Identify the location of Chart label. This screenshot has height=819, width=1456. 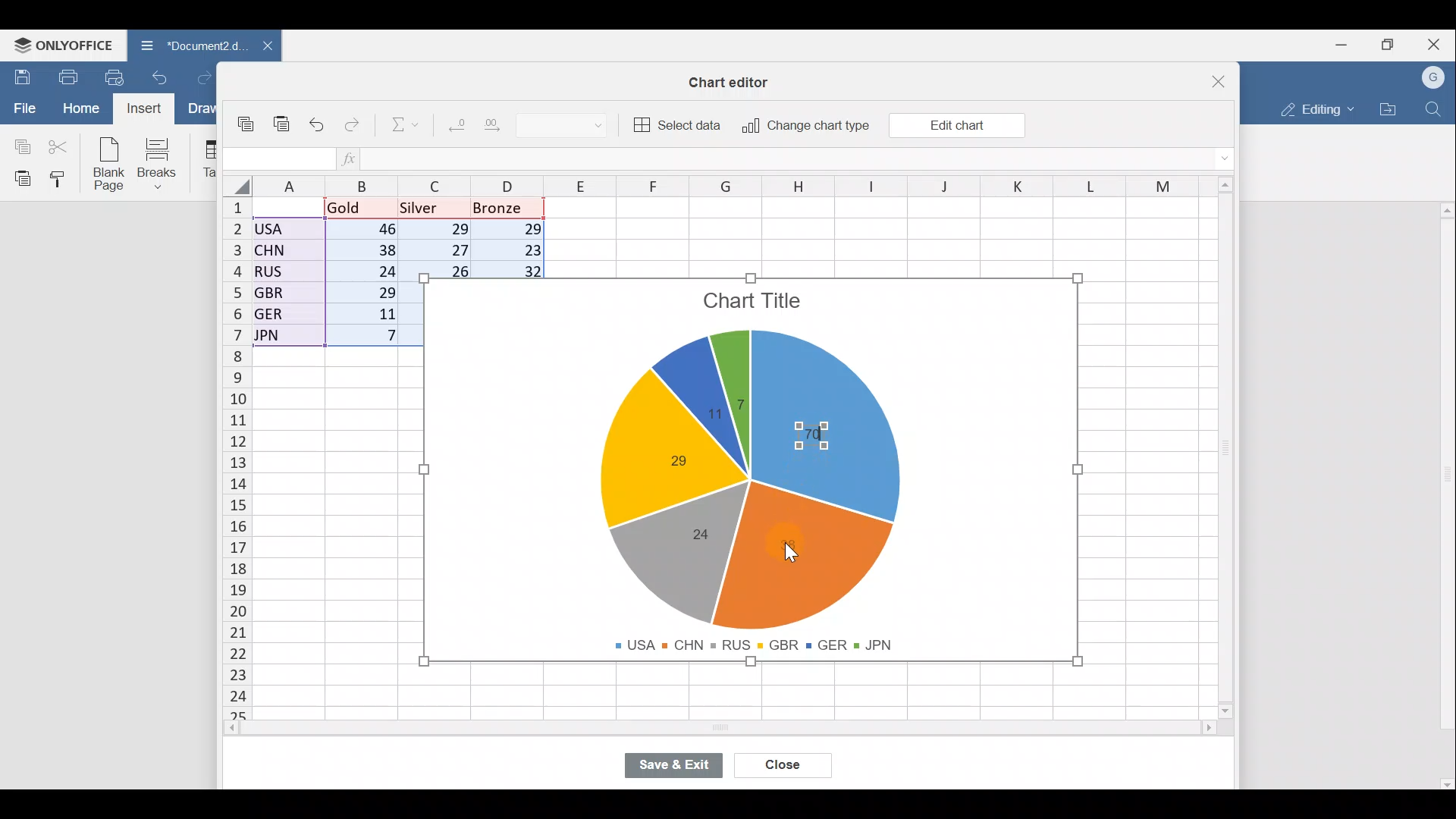
(825, 438).